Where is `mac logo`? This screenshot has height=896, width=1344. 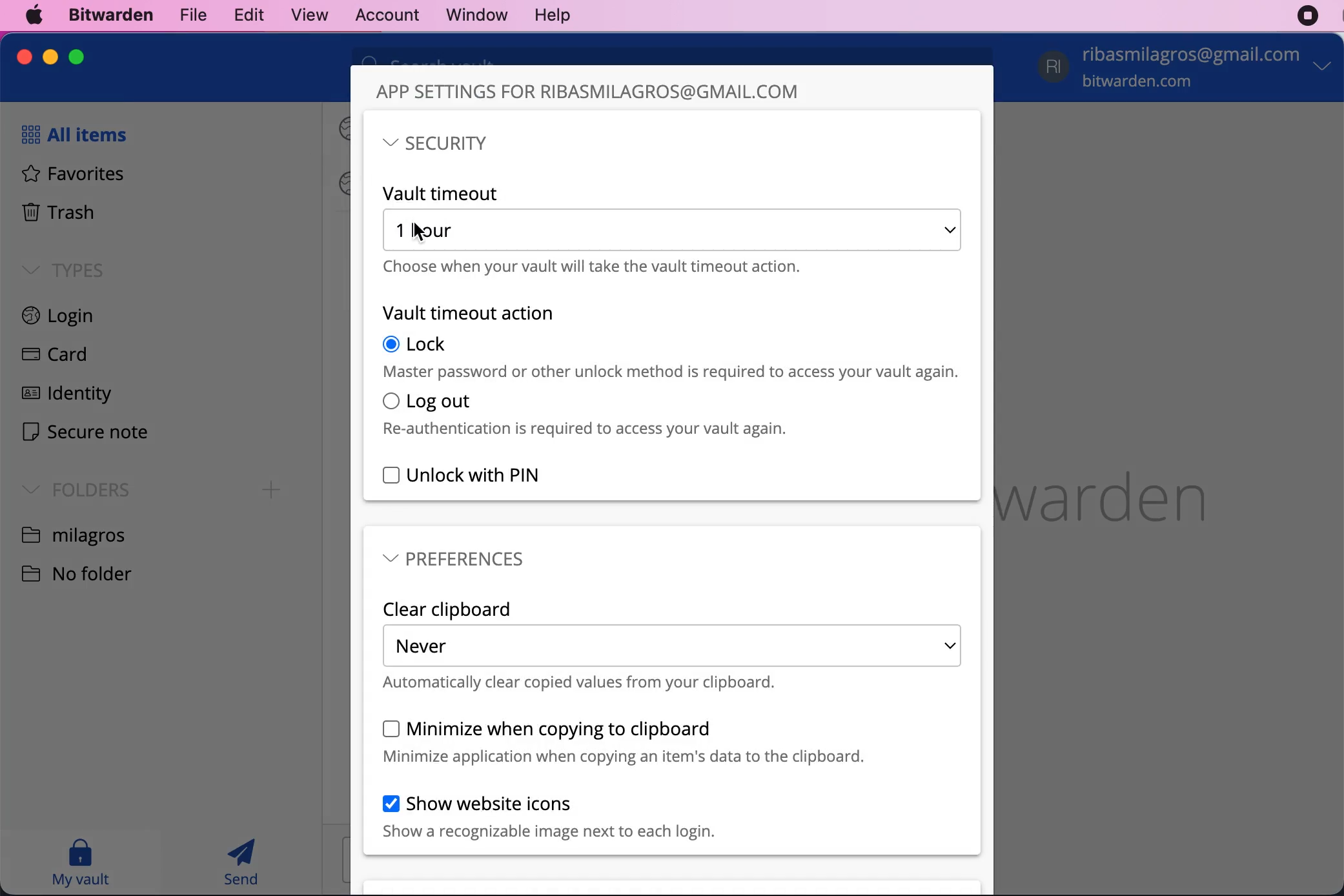
mac logo is located at coordinates (36, 15).